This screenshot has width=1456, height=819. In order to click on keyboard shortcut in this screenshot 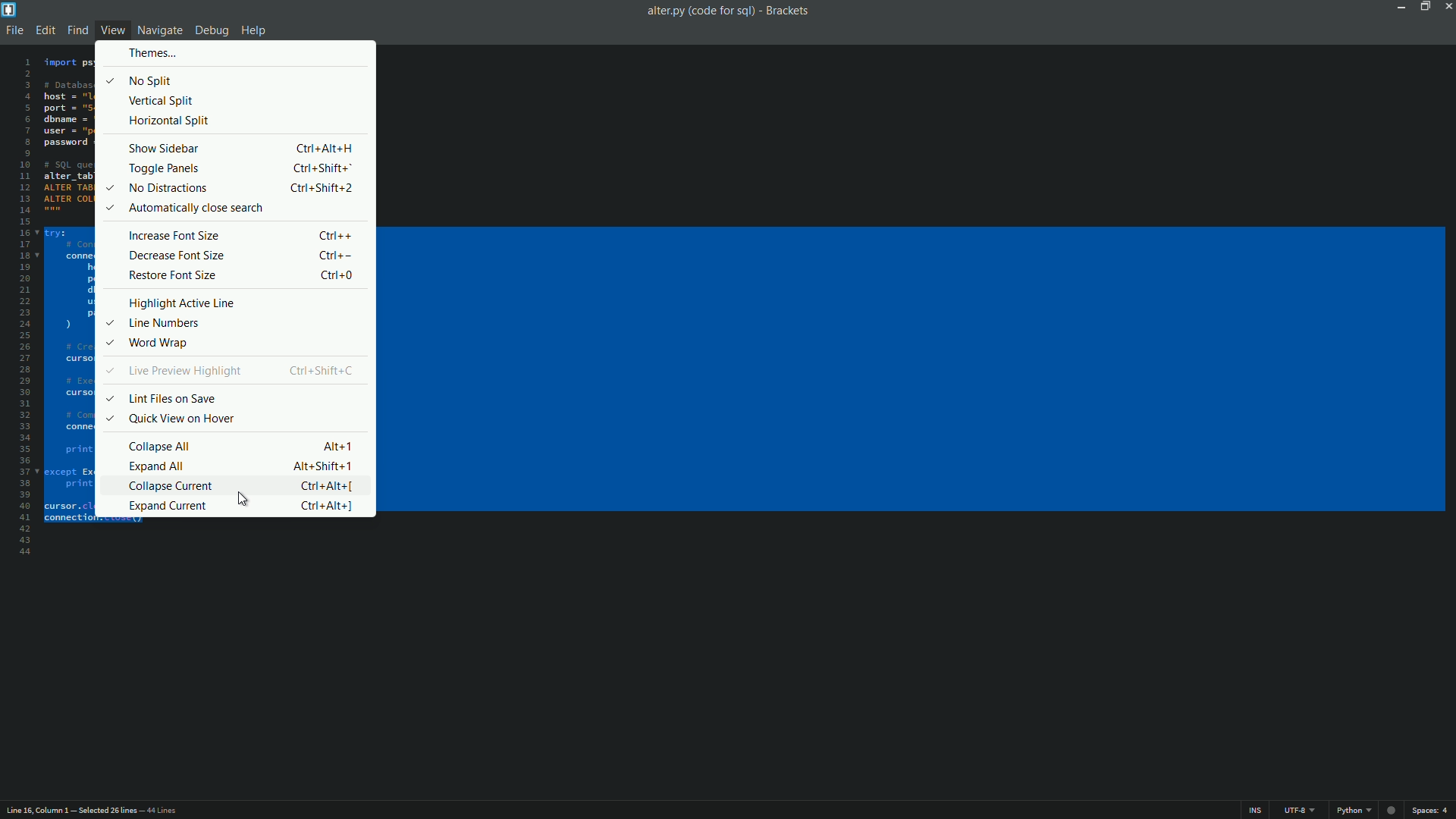, I will do `click(337, 235)`.